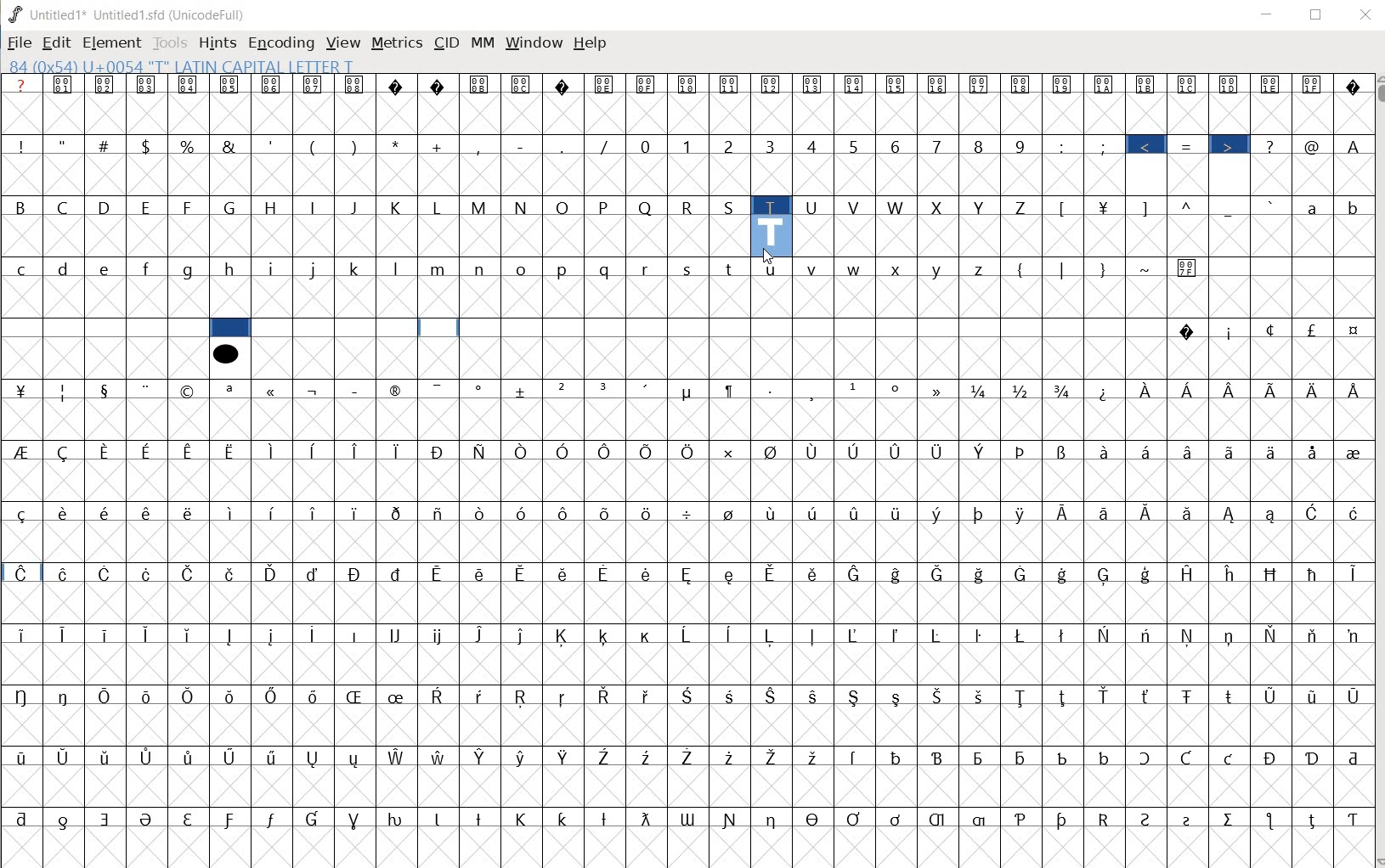 Image resolution: width=1385 pixels, height=868 pixels. What do you see at coordinates (439, 756) in the screenshot?
I see `Symbol` at bounding box center [439, 756].